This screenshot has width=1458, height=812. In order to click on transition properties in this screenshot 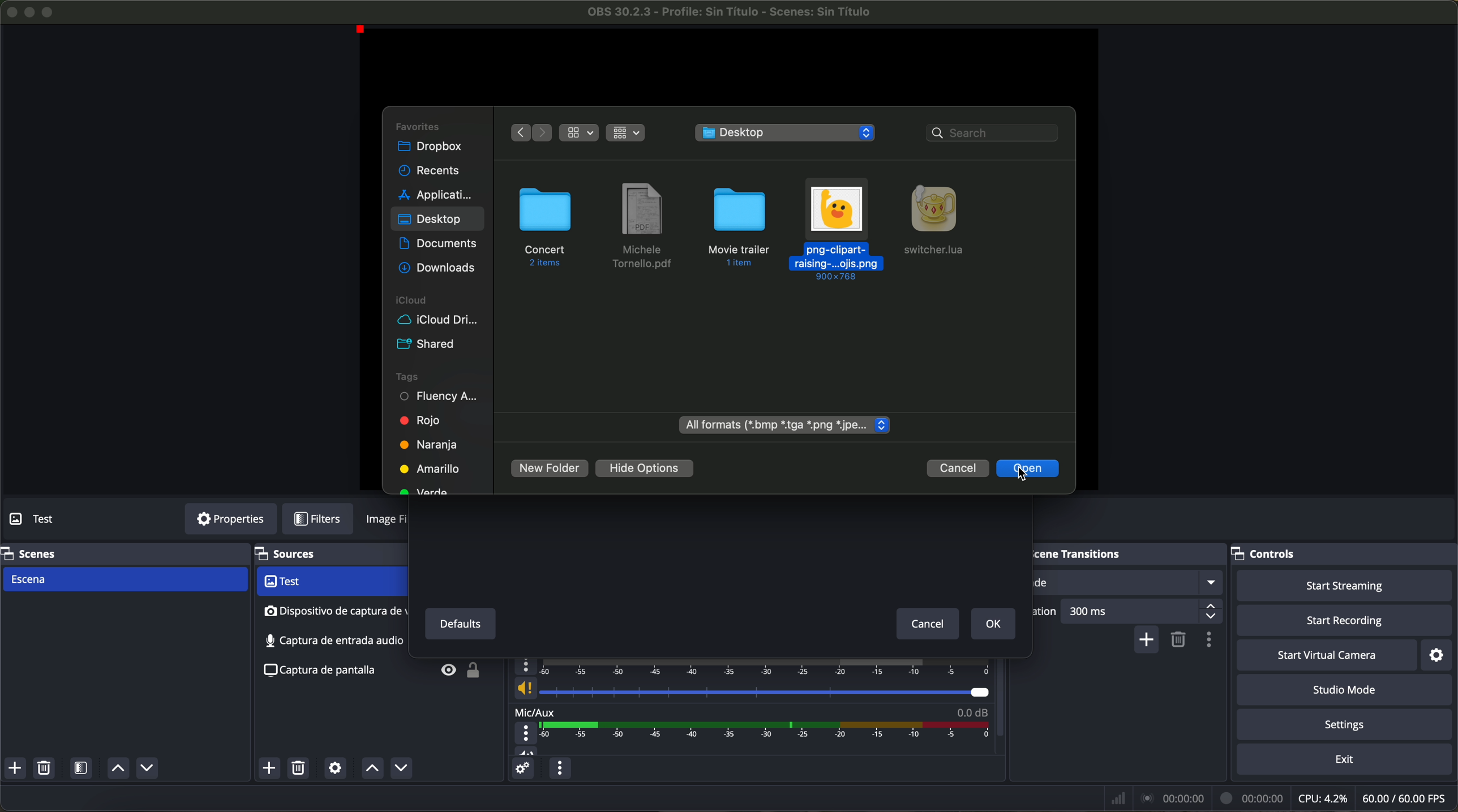, I will do `click(1212, 641)`.